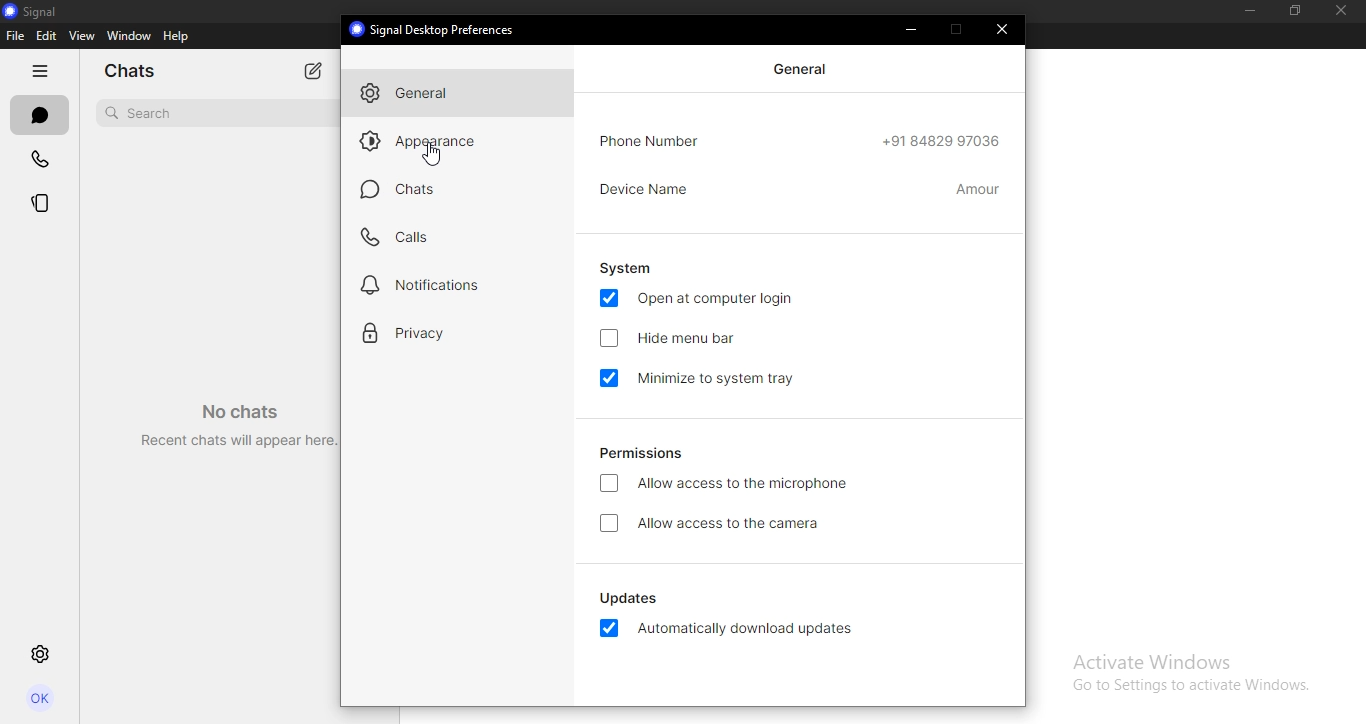 This screenshot has width=1366, height=724. What do you see at coordinates (728, 628) in the screenshot?
I see `automatically download updates` at bounding box center [728, 628].